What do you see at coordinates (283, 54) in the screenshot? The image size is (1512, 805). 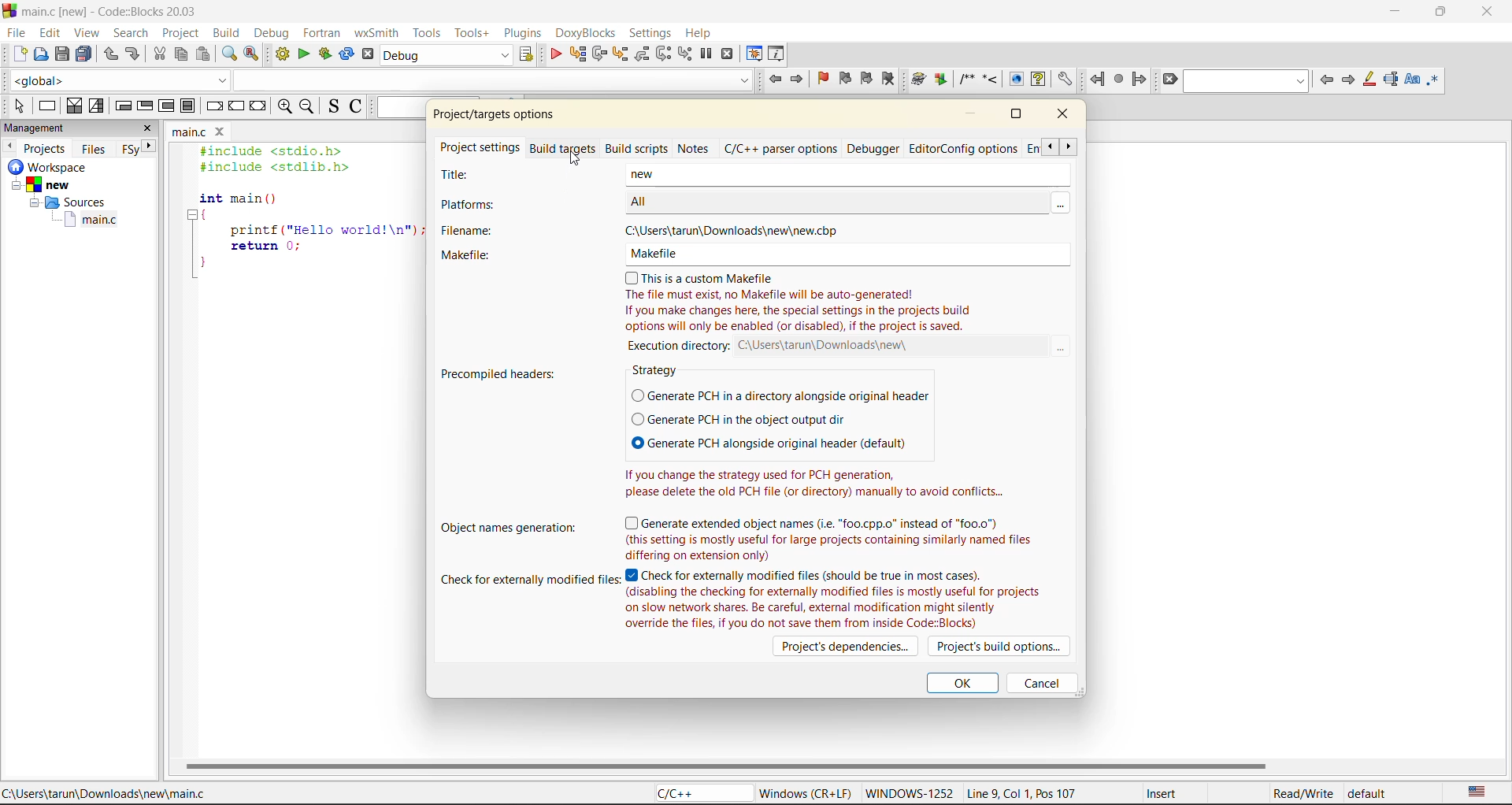 I see `build` at bounding box center [283, 54].